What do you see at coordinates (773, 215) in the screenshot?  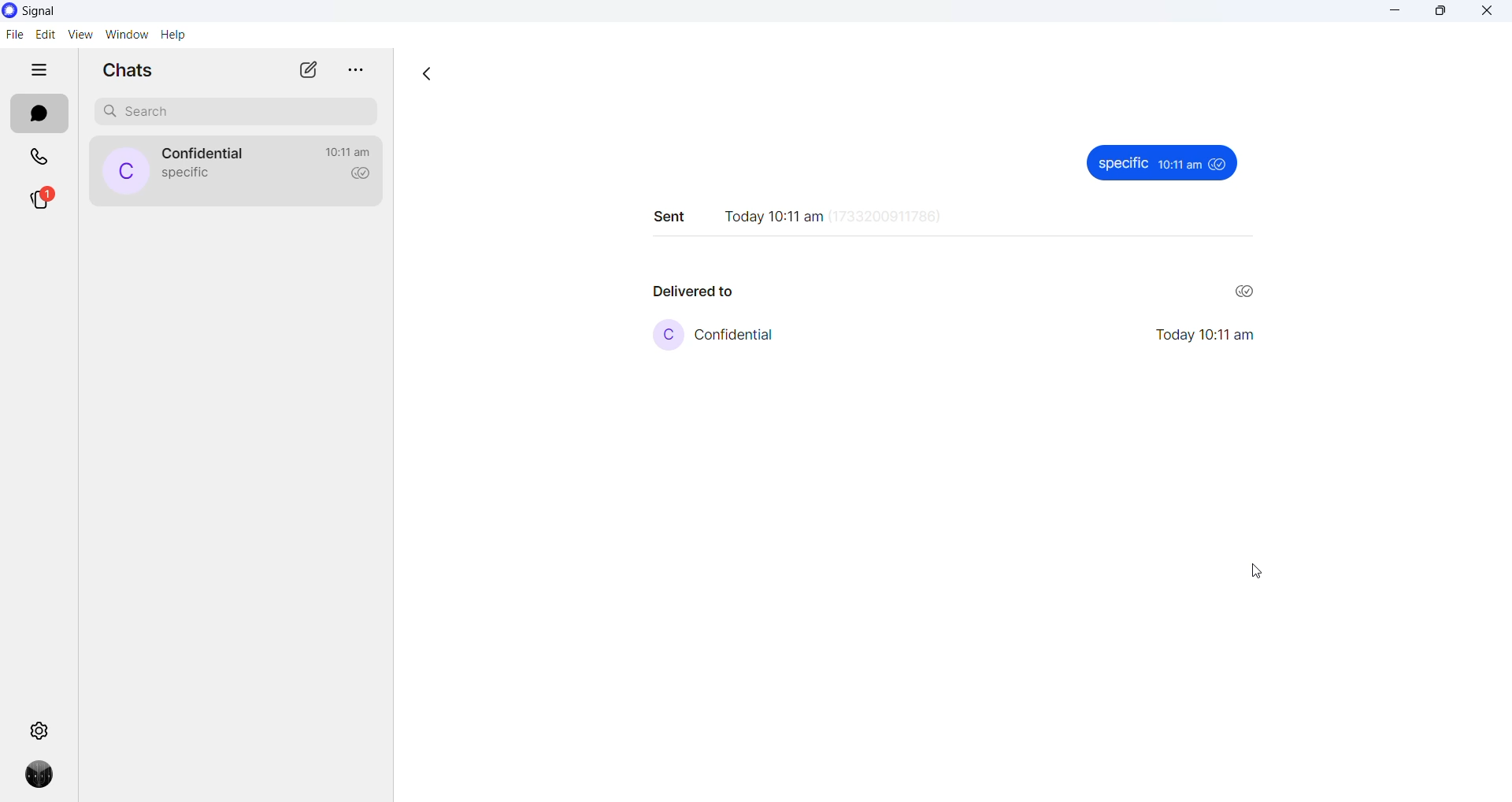 I see `time stamp` at bounding box center [773, 215].